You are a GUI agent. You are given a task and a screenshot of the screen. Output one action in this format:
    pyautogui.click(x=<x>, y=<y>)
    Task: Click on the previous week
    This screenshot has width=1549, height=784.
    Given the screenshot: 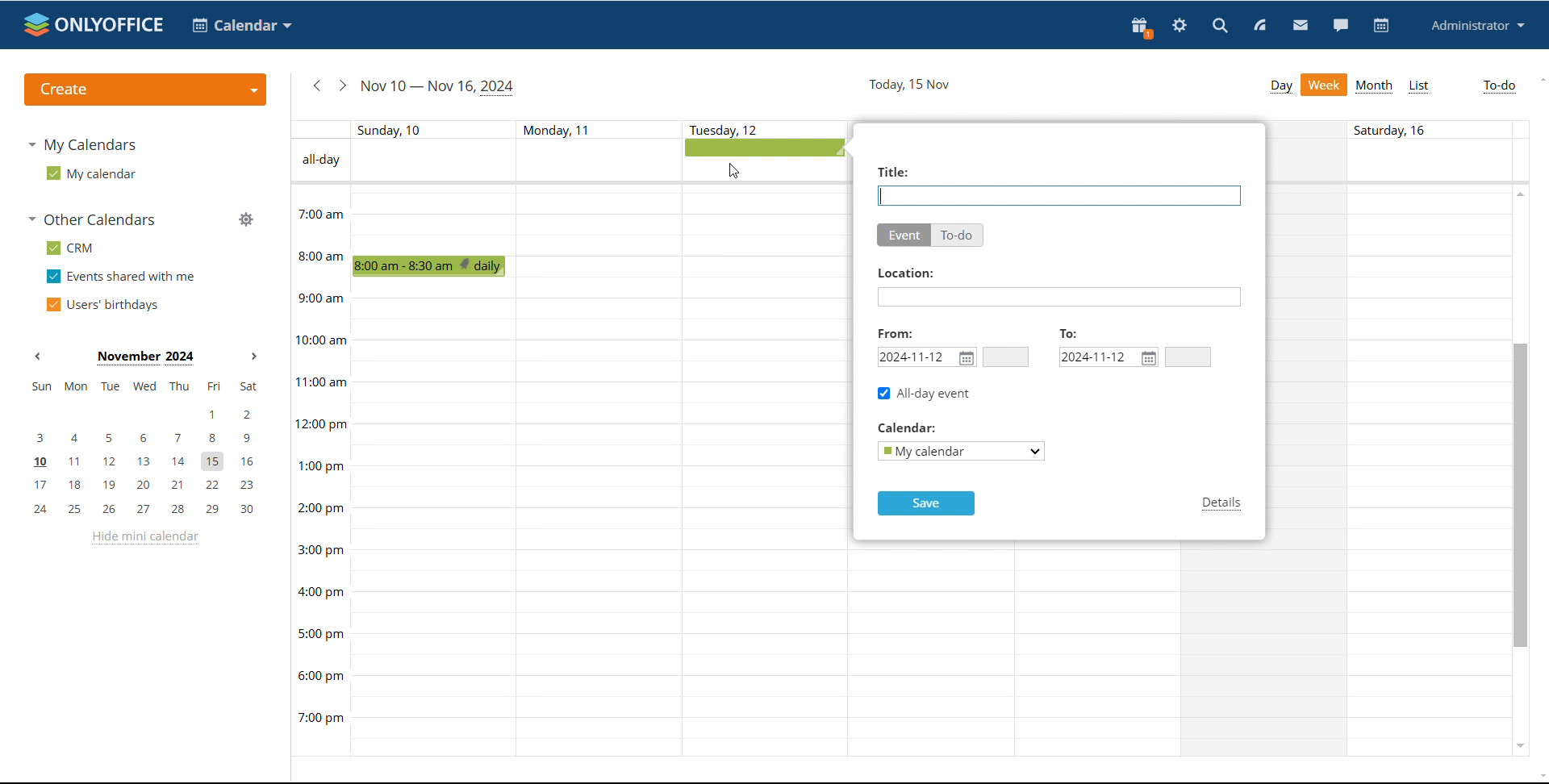 What is the action you would take?
    pyautogui.click(x=316, y=85)
    